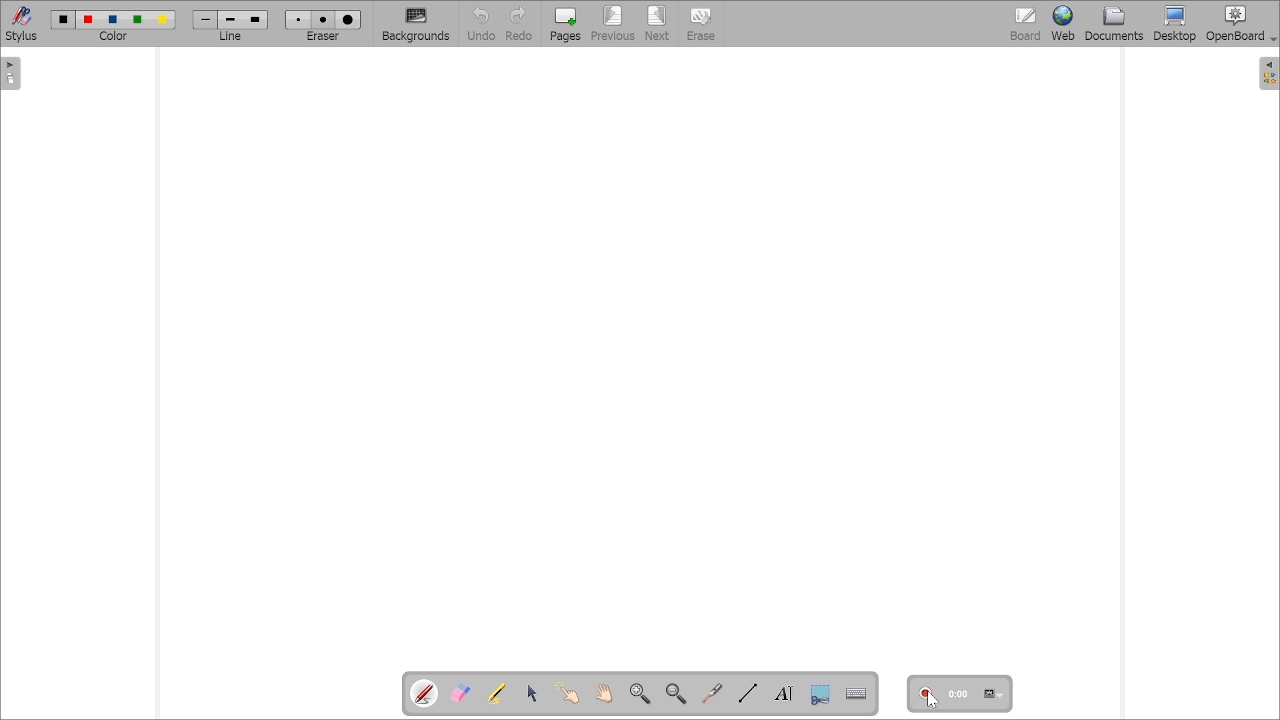  What do you see at coordinates (22, 24) in the screenshot?
I see `Stylus` at bounding box center [22, 24].